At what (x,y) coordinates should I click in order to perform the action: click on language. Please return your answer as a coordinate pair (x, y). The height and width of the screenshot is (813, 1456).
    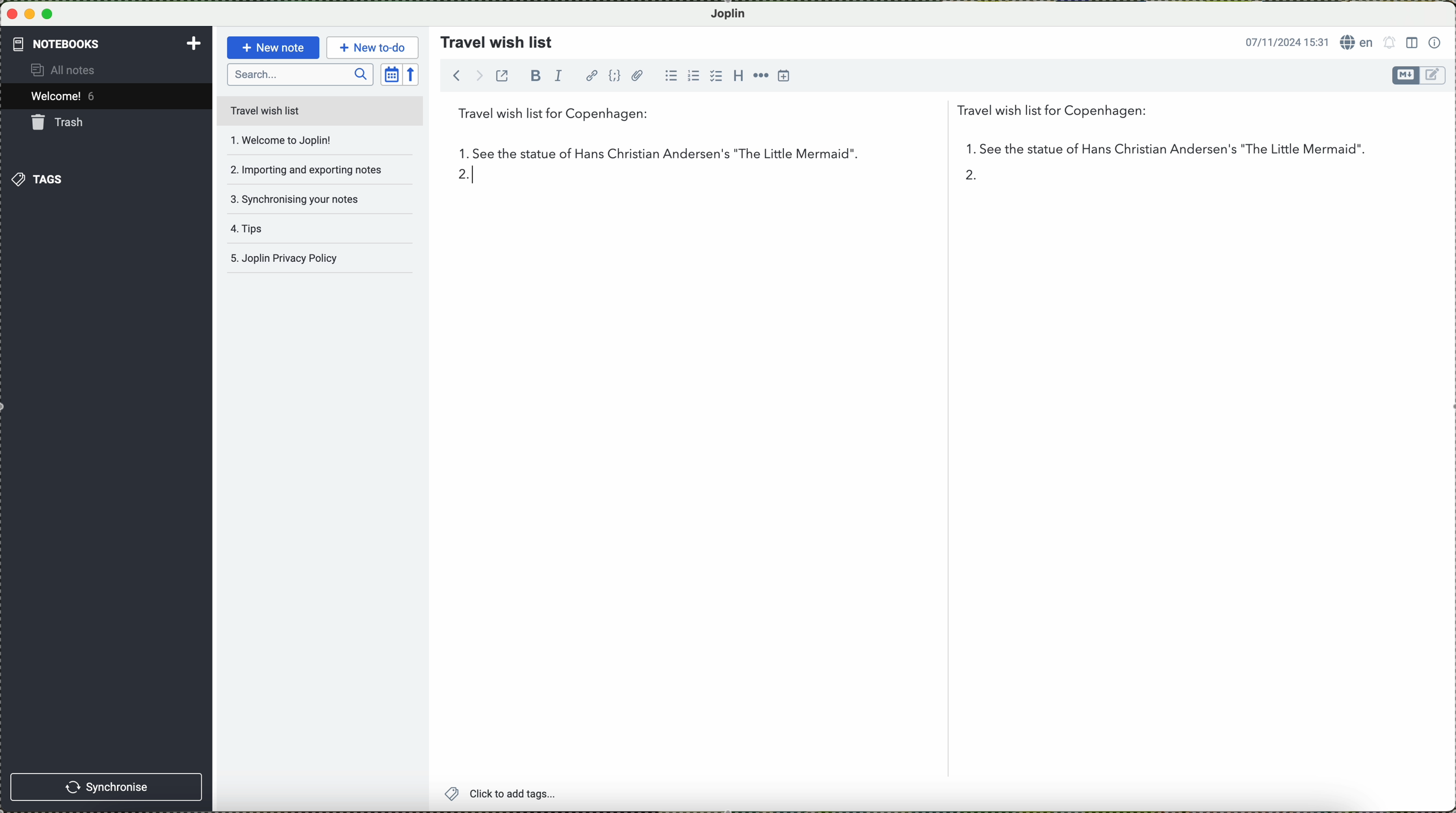
    Looking at the image, I should click on (1357, 42).